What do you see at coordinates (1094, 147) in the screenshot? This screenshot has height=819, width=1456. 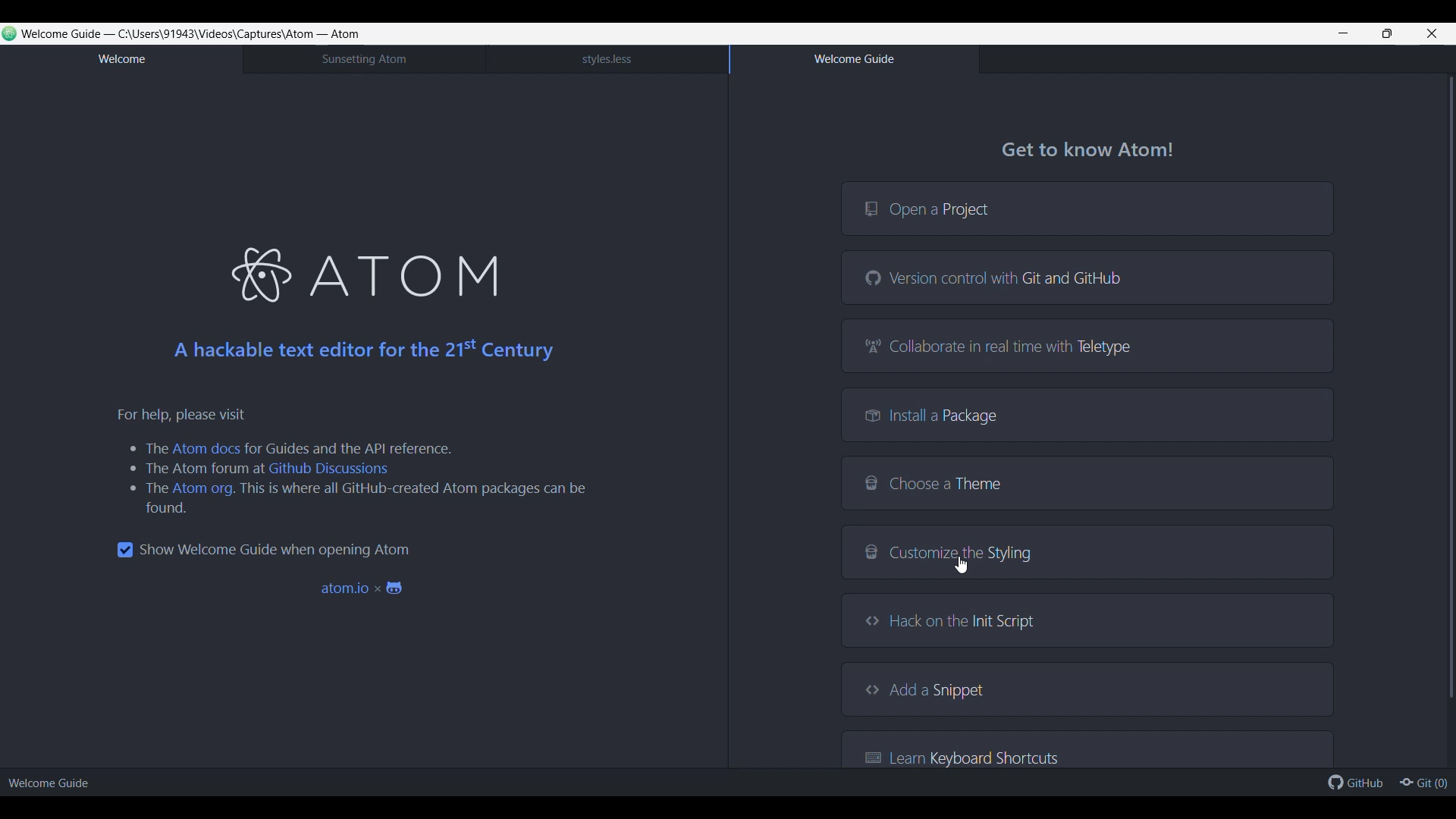 I see `Get to know Atom!` at bounding box center [1094, 147].